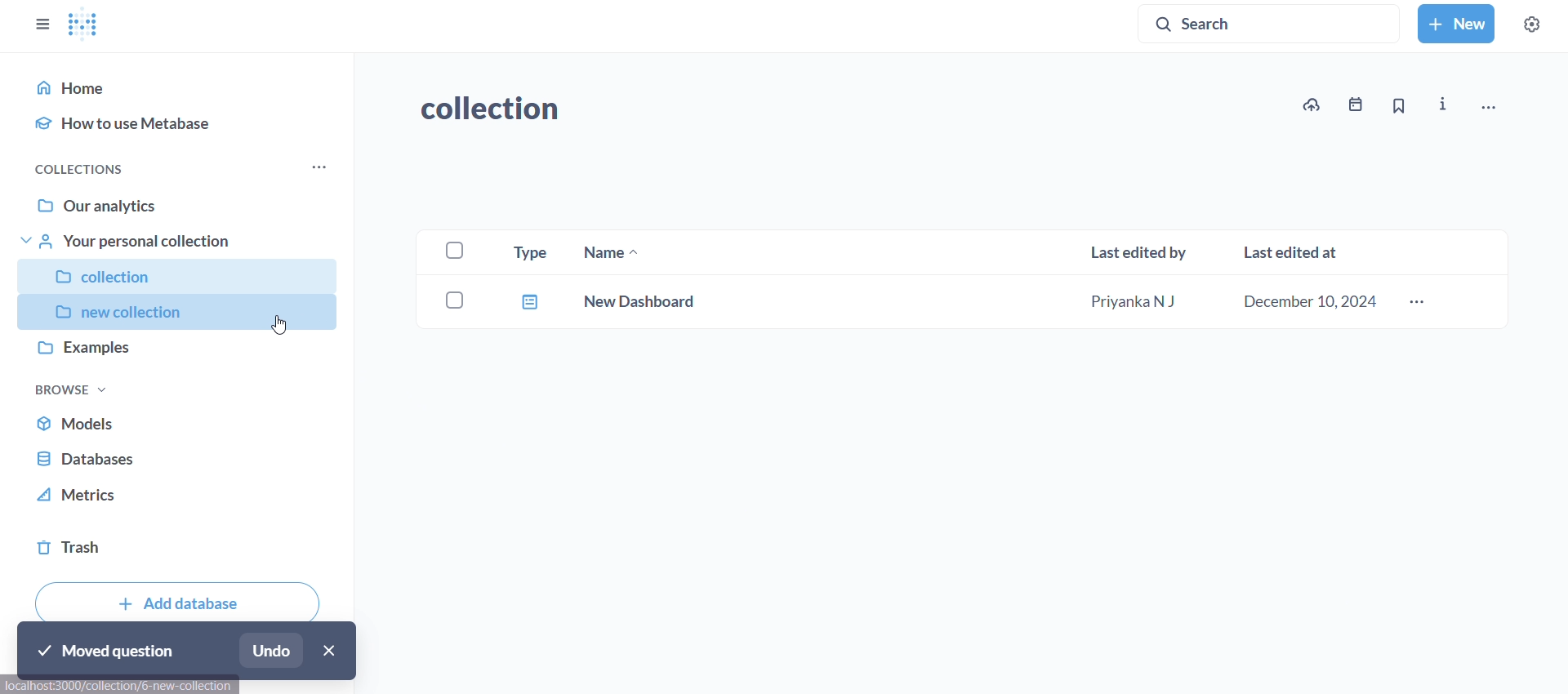  What do you see at coordinates (1351, 108) in the screenshot?
I see `events` at bounding box center [1351, 108].